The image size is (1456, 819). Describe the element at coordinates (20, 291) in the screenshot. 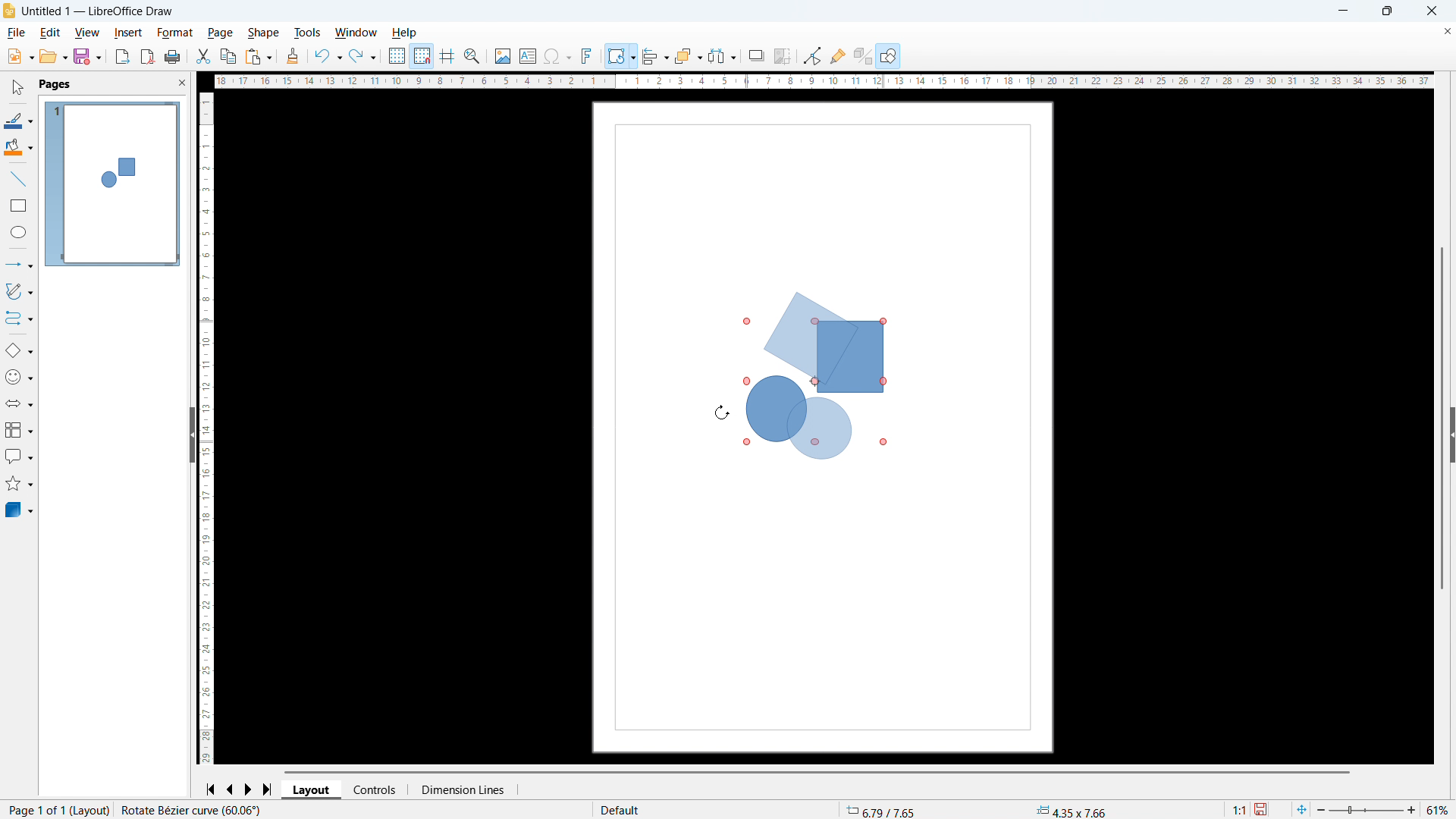

I see `Curves and polygons ` at that location.